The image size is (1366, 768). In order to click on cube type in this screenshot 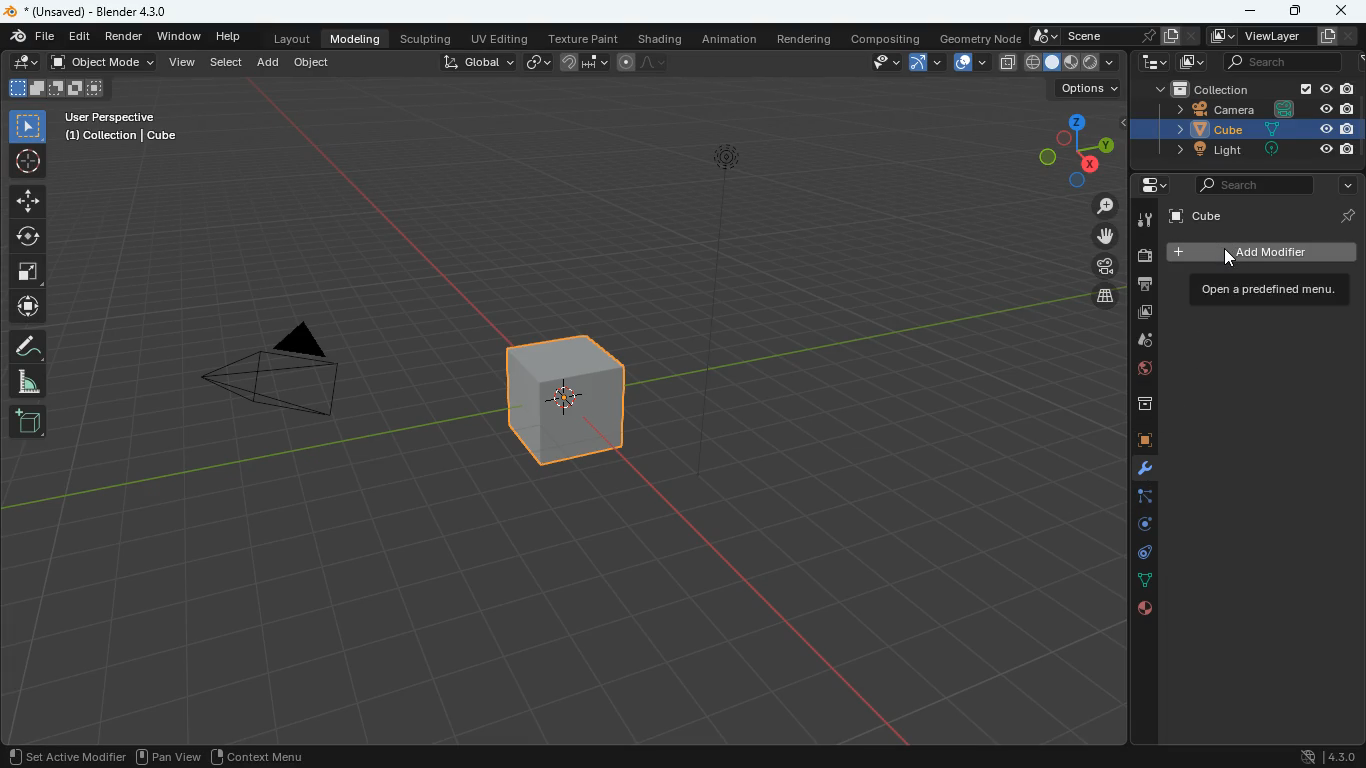, I will do `click(1073, 63)`.